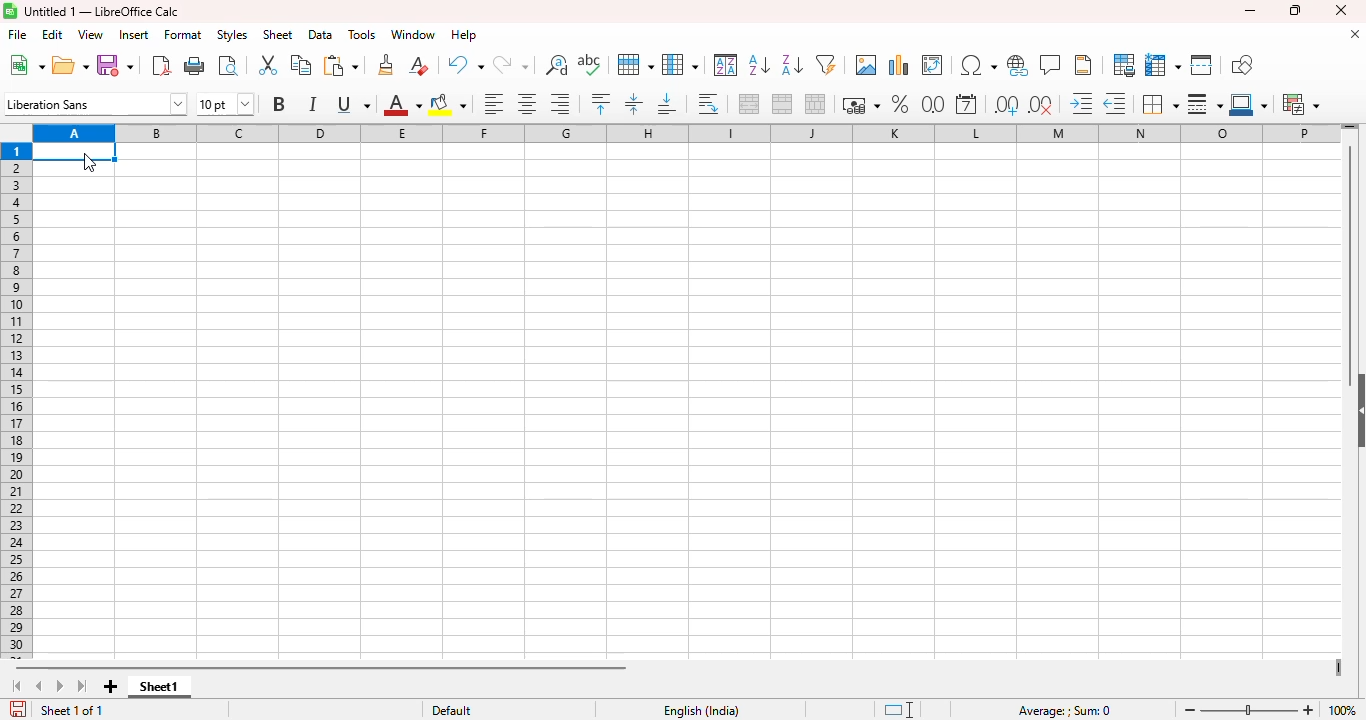 This screenshot has width=1366, height=720. What do you see at coordinates (1308, 710) in the screenshot?
I see `zoom in` at bounding box center [1308, 710].